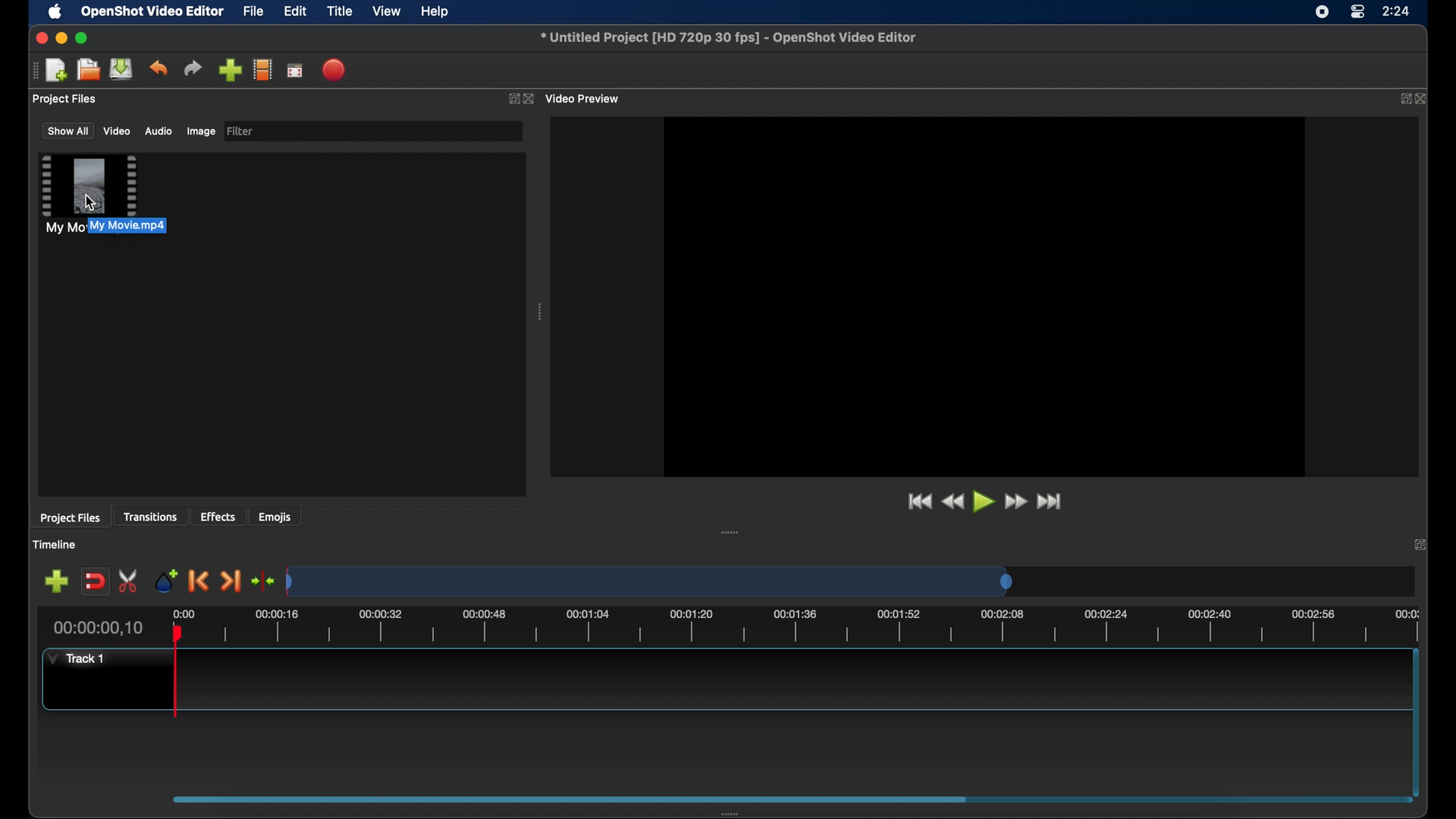 The width and height of the screenshot is (1456, 819). What do you see at coordinates (196, 580) in the screenshot?
I see `previous marker` at bounding box center [196, 580].